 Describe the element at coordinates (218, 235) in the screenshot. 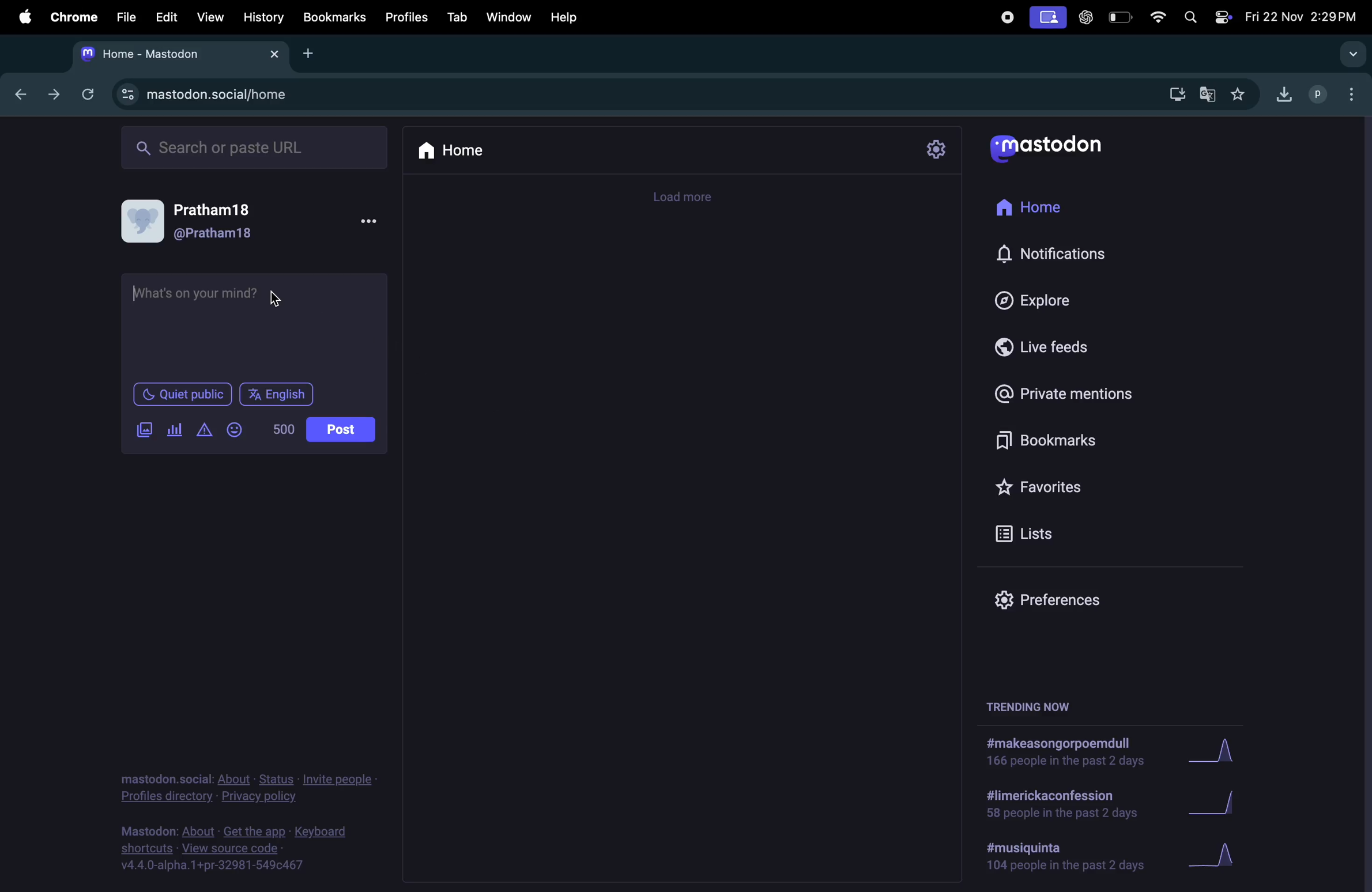

I see `@pratham18` at that location.